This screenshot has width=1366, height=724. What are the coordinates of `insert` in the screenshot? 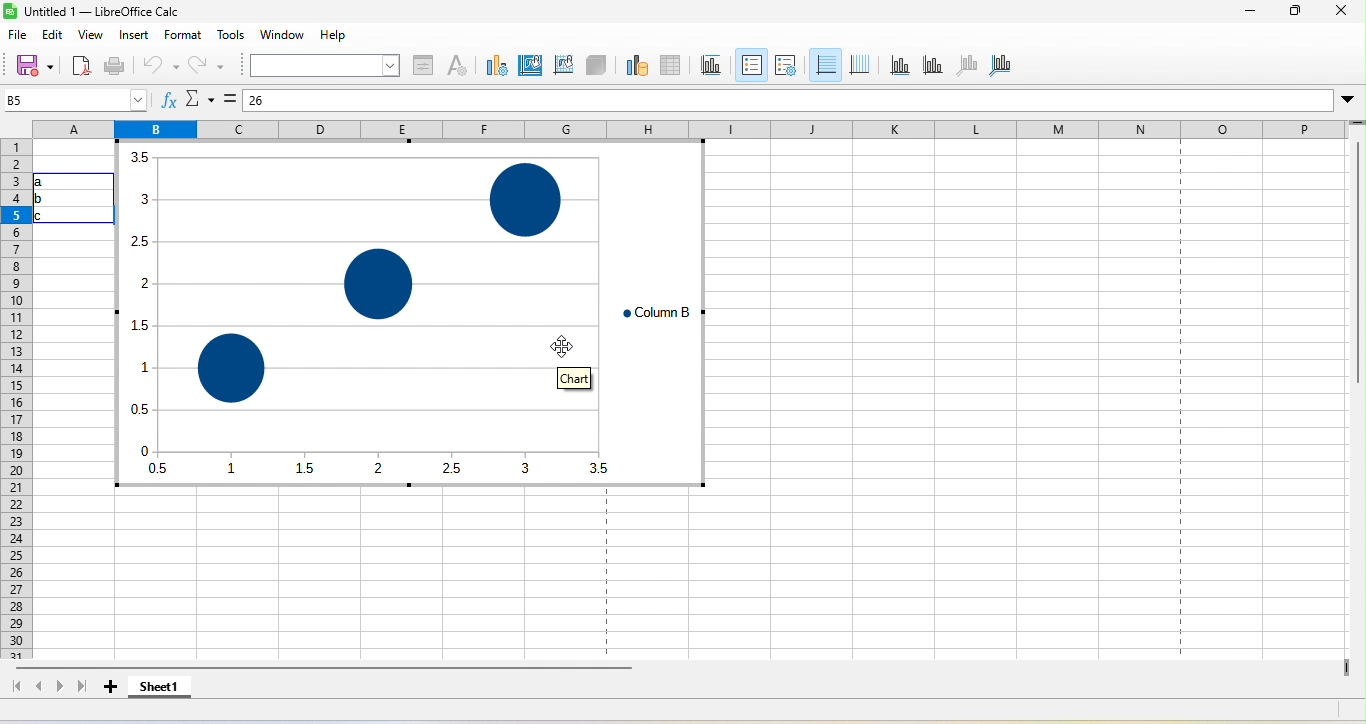 It's located at (134, 36).